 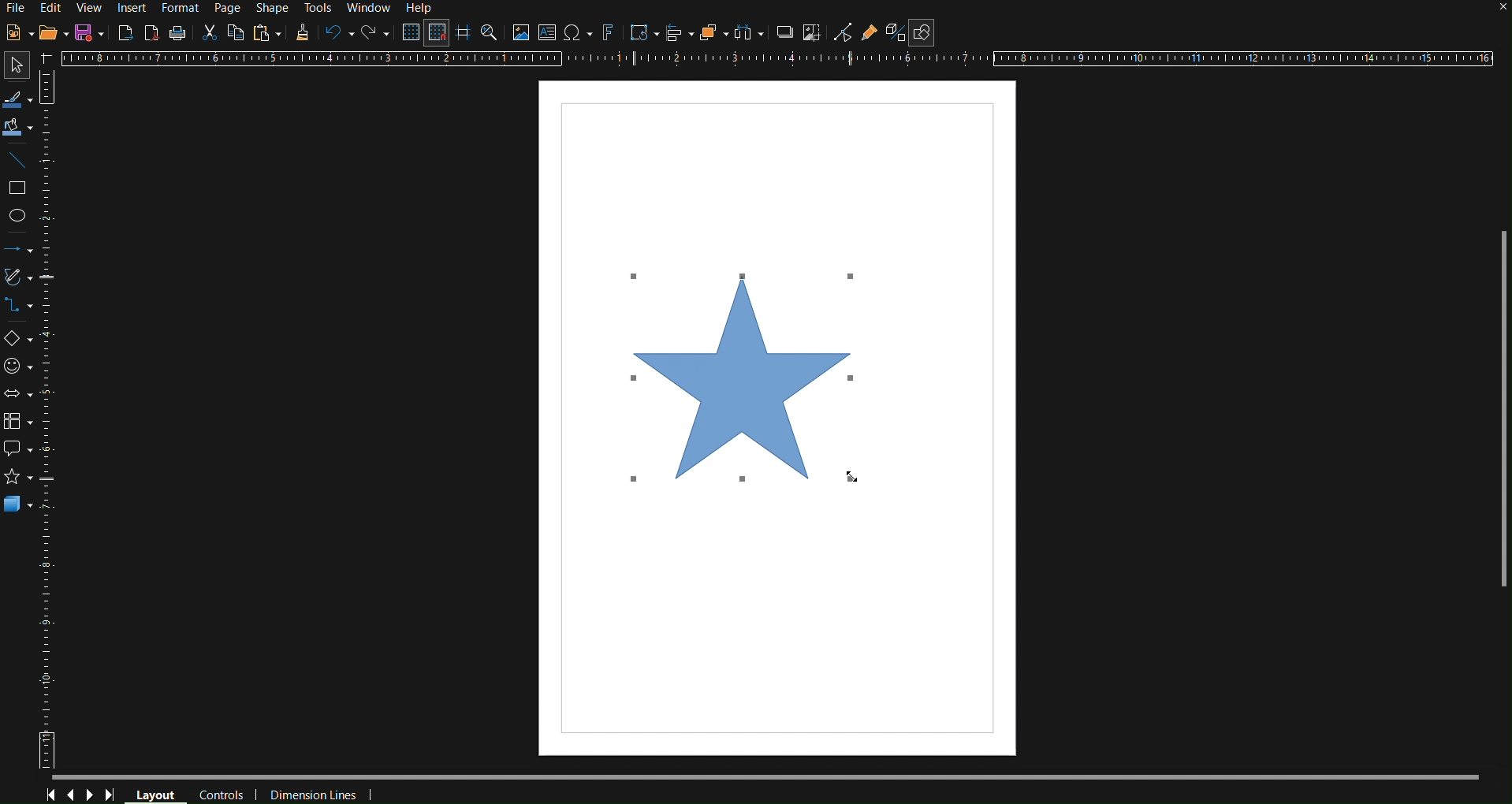 I want to click on Scrollbar, so click(x=766, y=776).